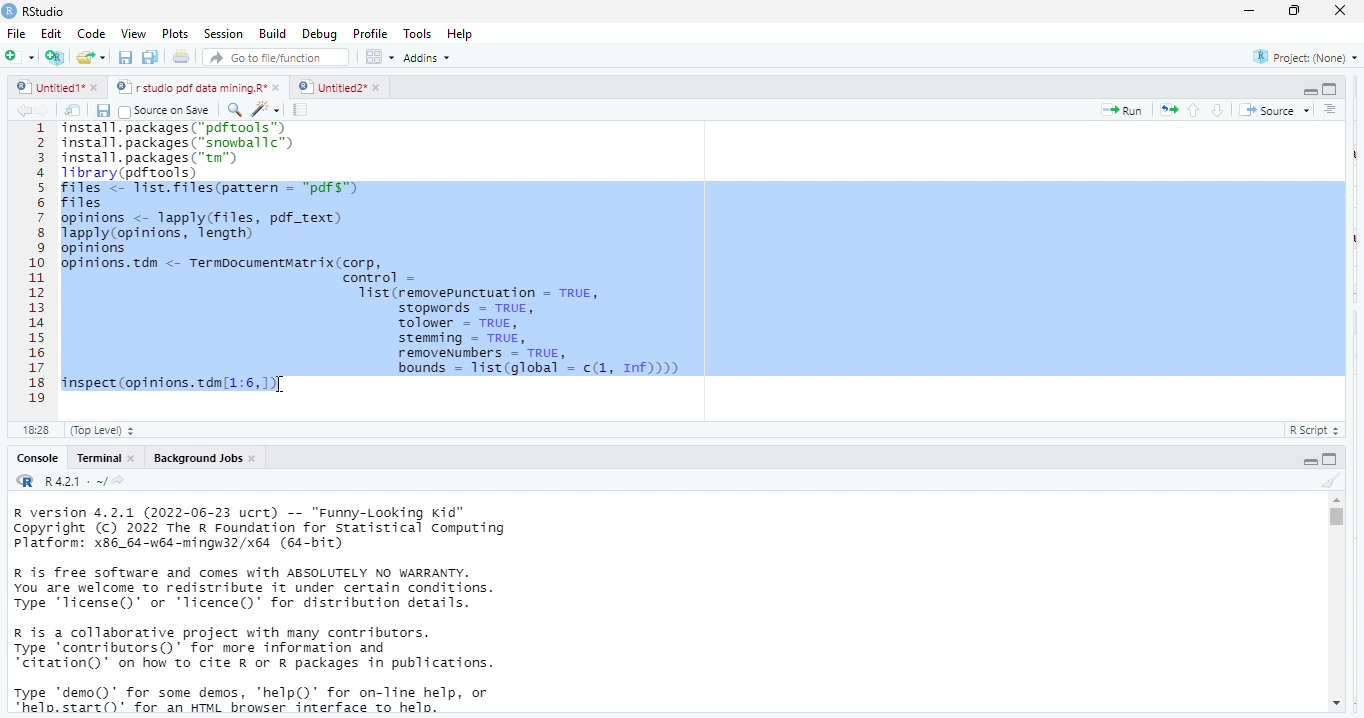 This screenshot has height=718, width=1364. I want to click on > install.packages("snowballc")

3 install. packages("tn")

+ 1ibrary(pdftools)

5 Files < Mist. Files (parcern - "pdfs"

5 Files

7 opinions <- lapply(files, pdf_text)

8 apply (opinions, length)

5 opinions

0 opinions. tdm <- Termpocumentvatrix (corp,

1 control =

2 Tist(removepunctuation = TRUE,
3 stopwords = TRUE,

A Tolower = TRUE,

5 stemming = TRUE,

3 removeNumbers = TRUE,

7 bounds = Tist(global = c(1, 1n))))
8 inspect (opinions. tdn(1:6,1)

5, so click(701, 260).